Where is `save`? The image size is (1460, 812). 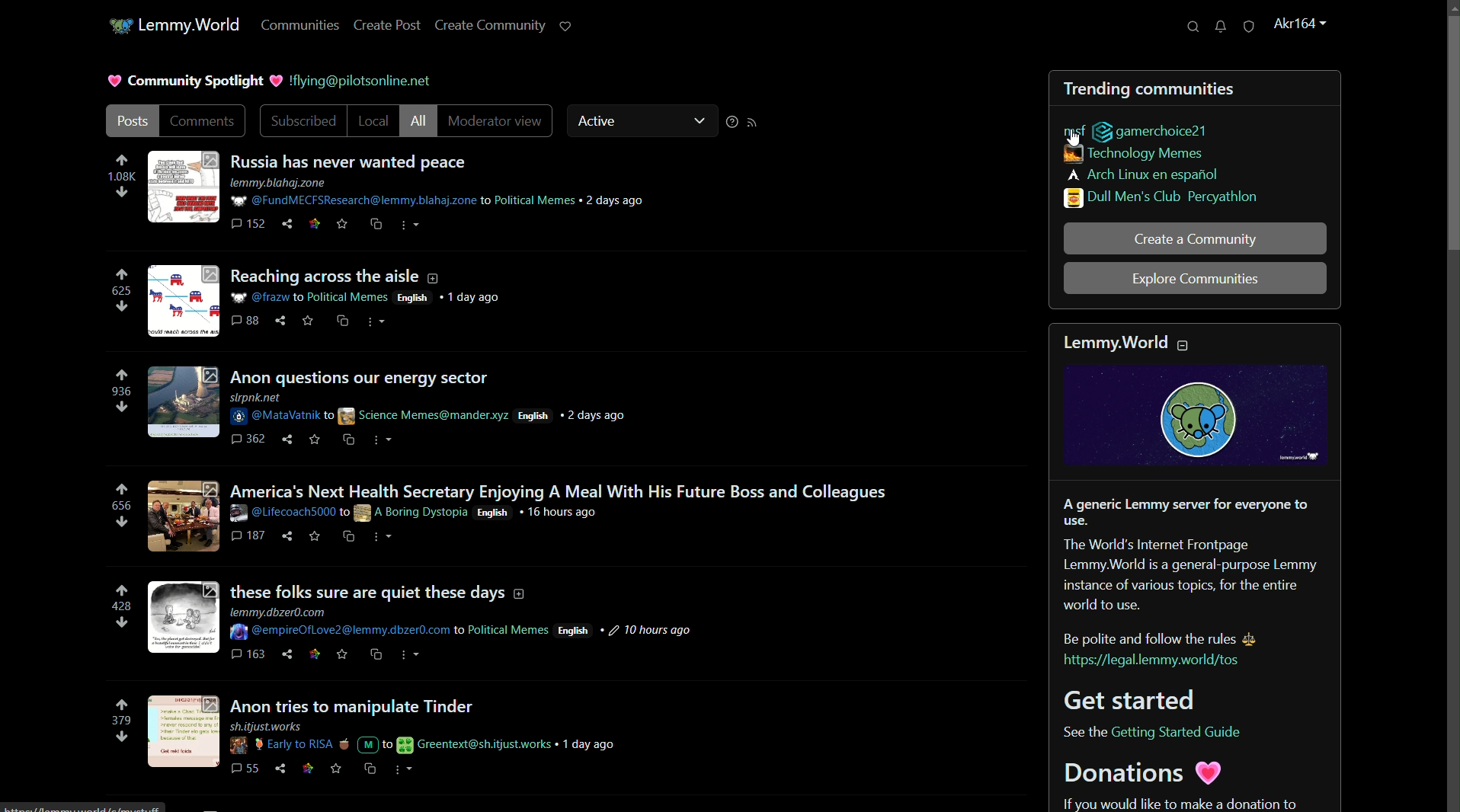 save is located at coordinates (313, 536).